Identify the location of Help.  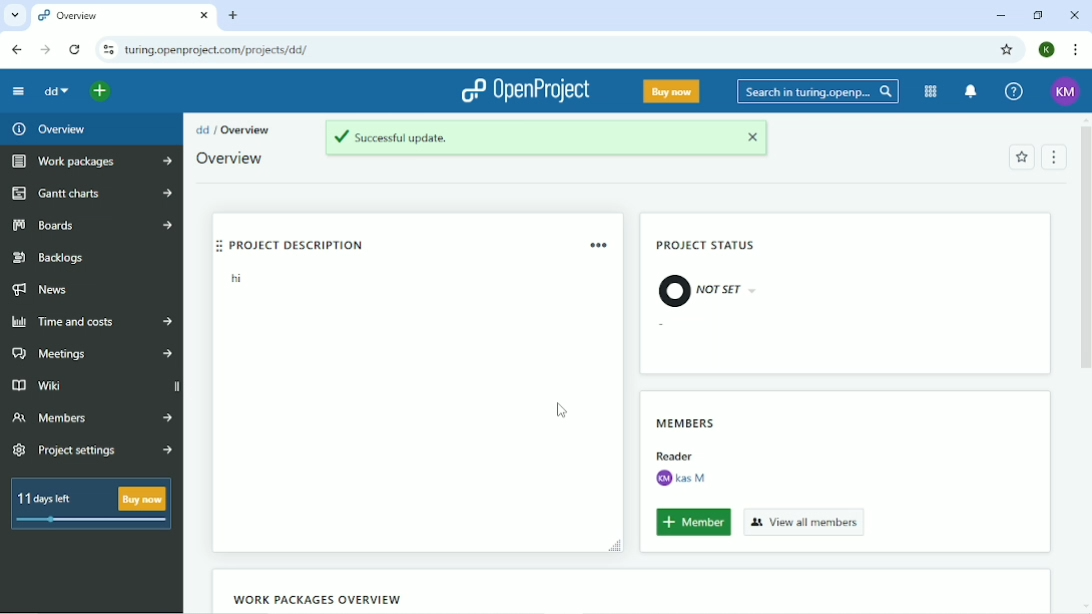
(1013, 91).